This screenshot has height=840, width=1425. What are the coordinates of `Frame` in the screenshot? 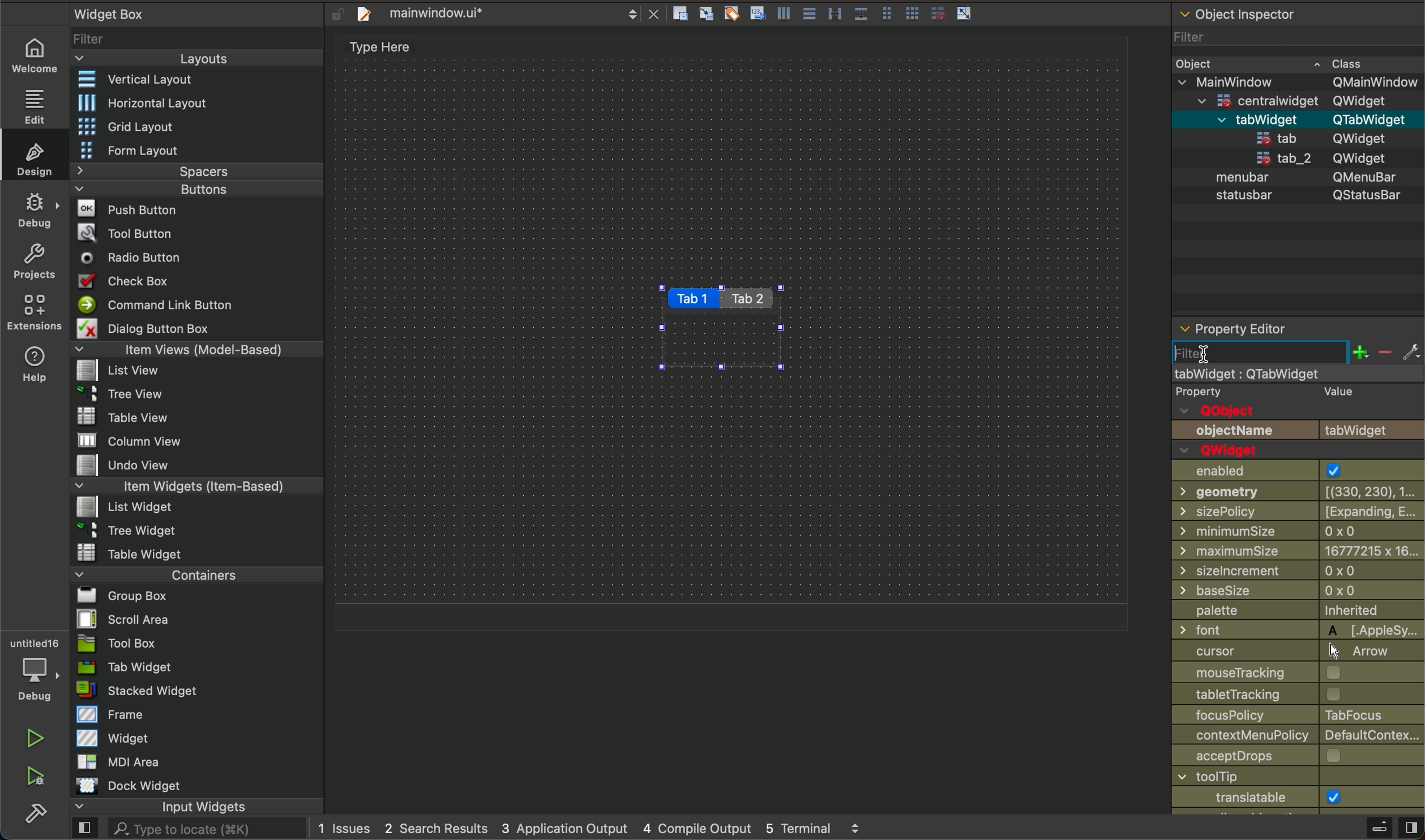 It's located at (105, 714).